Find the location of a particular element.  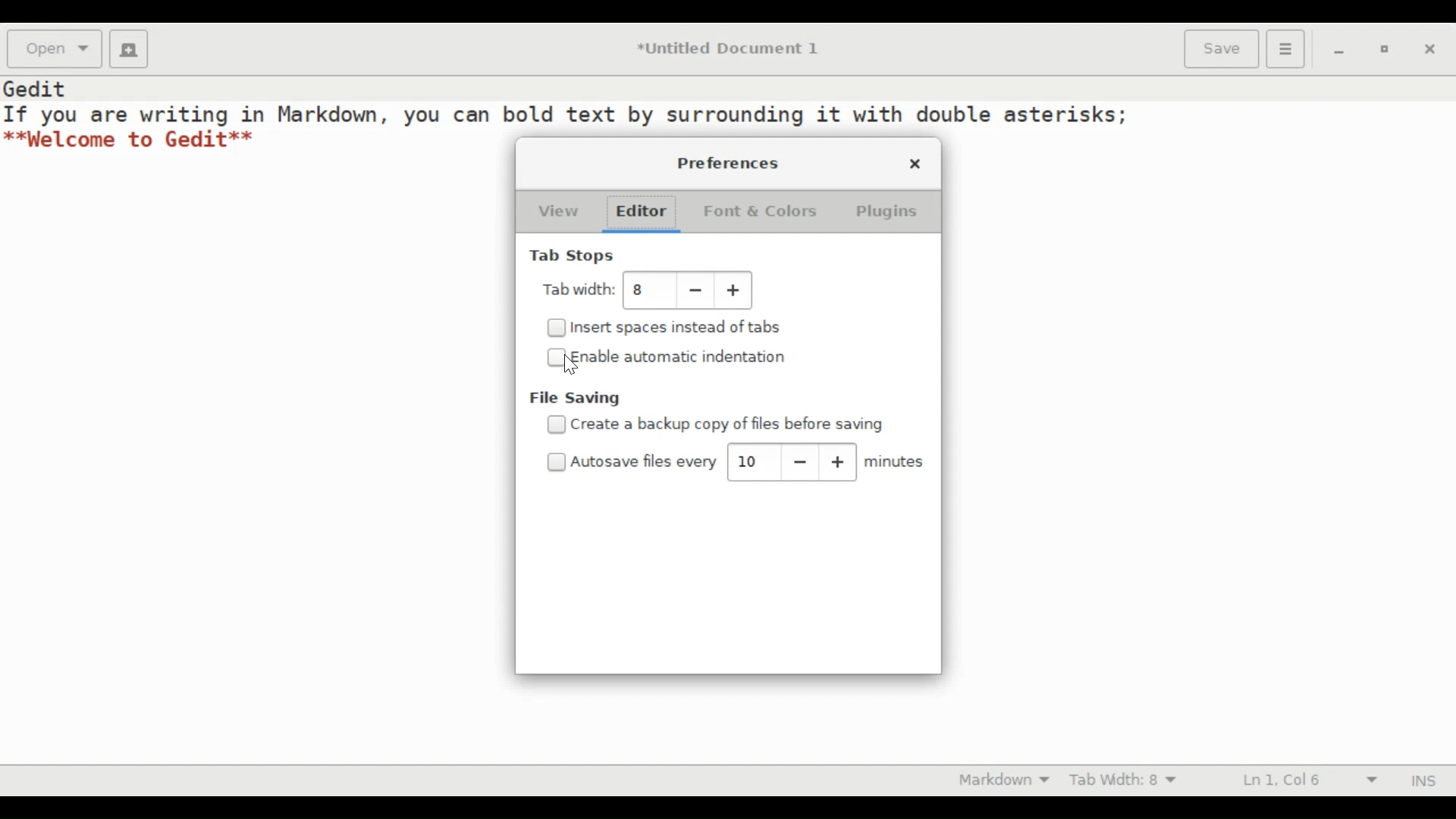

Save is located at coordinates (1222, 49).